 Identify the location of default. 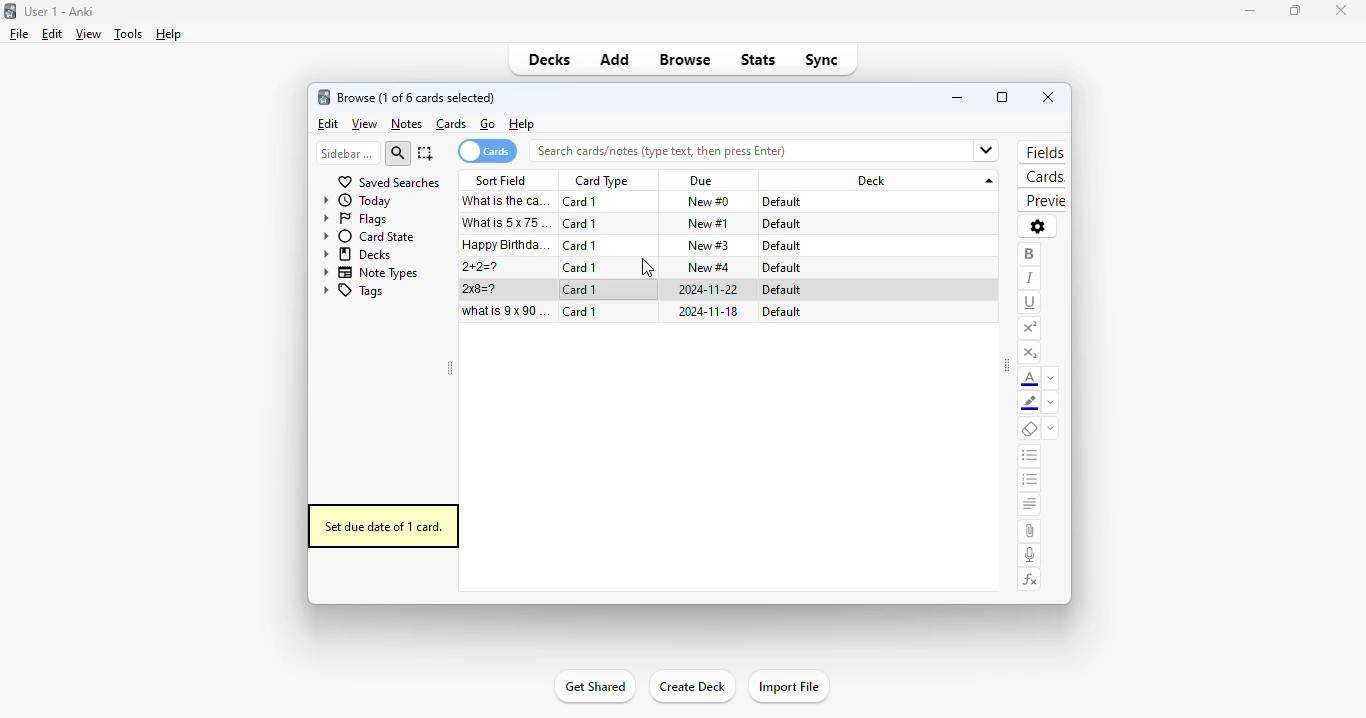
(780, 311).